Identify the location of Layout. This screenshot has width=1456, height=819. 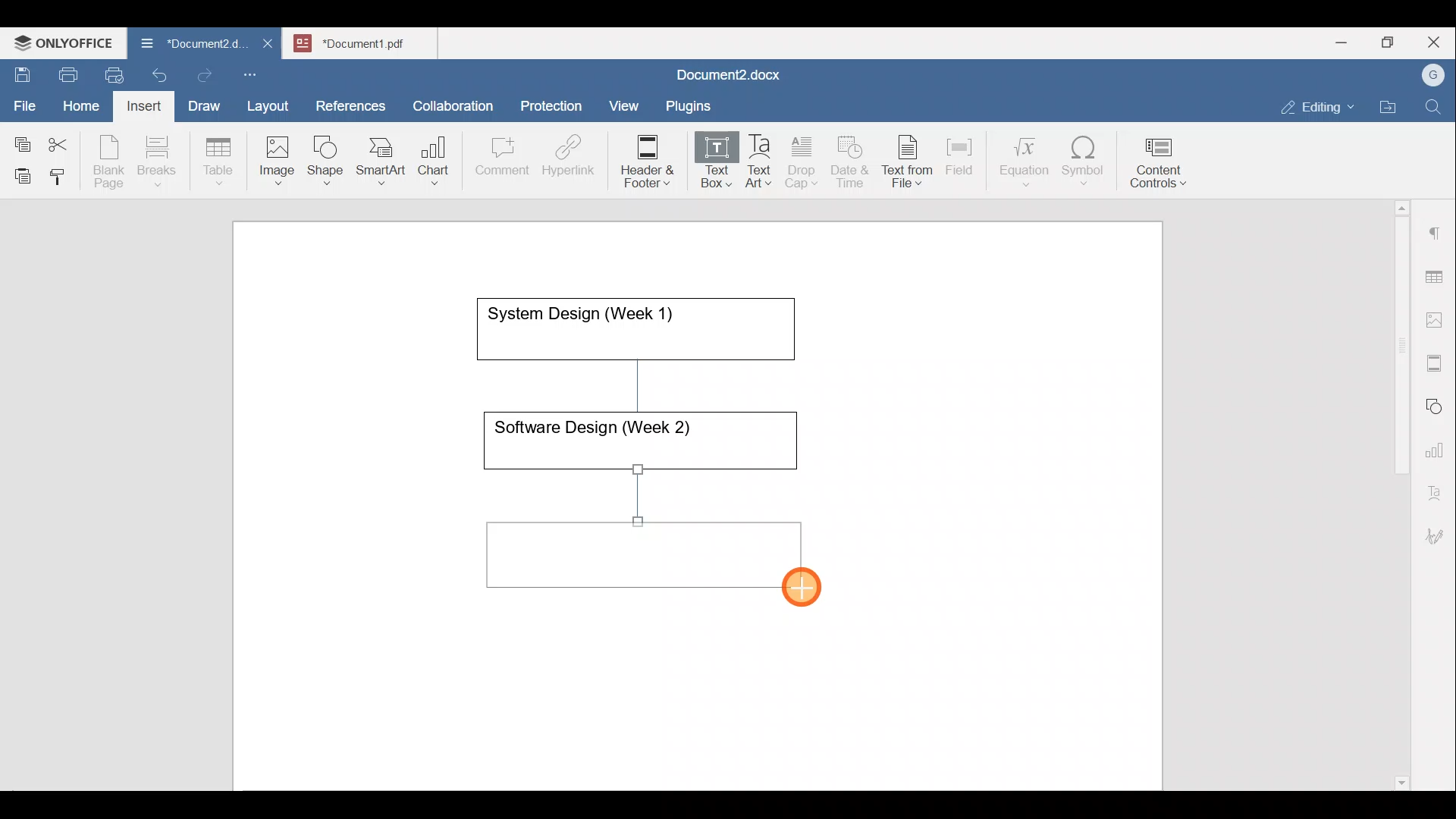
(271, 103).